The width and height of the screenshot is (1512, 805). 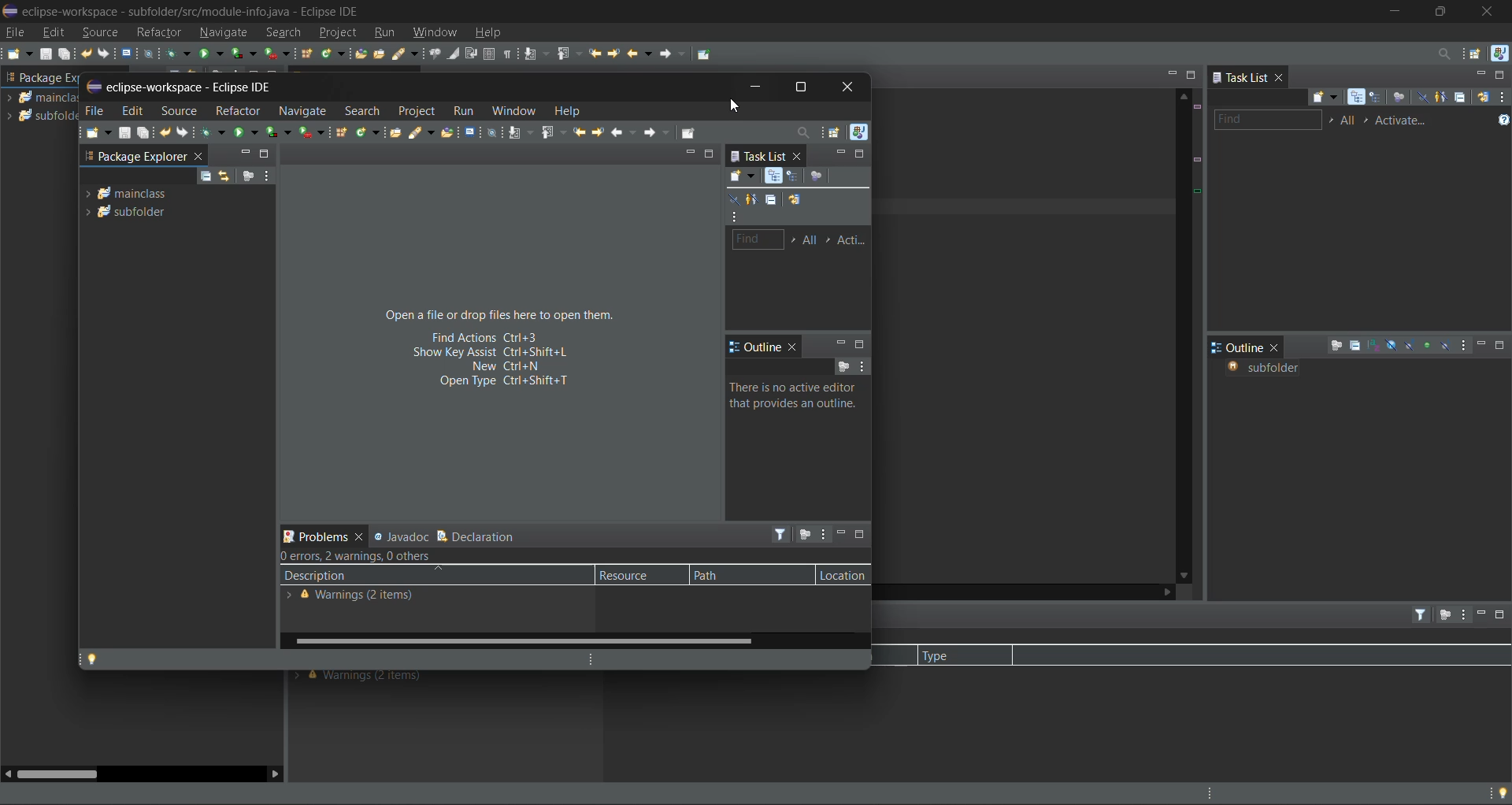 What do you see at coordinates (840, 534) in the screenshot?
I see `minimize` at bounding box center [840, 534].